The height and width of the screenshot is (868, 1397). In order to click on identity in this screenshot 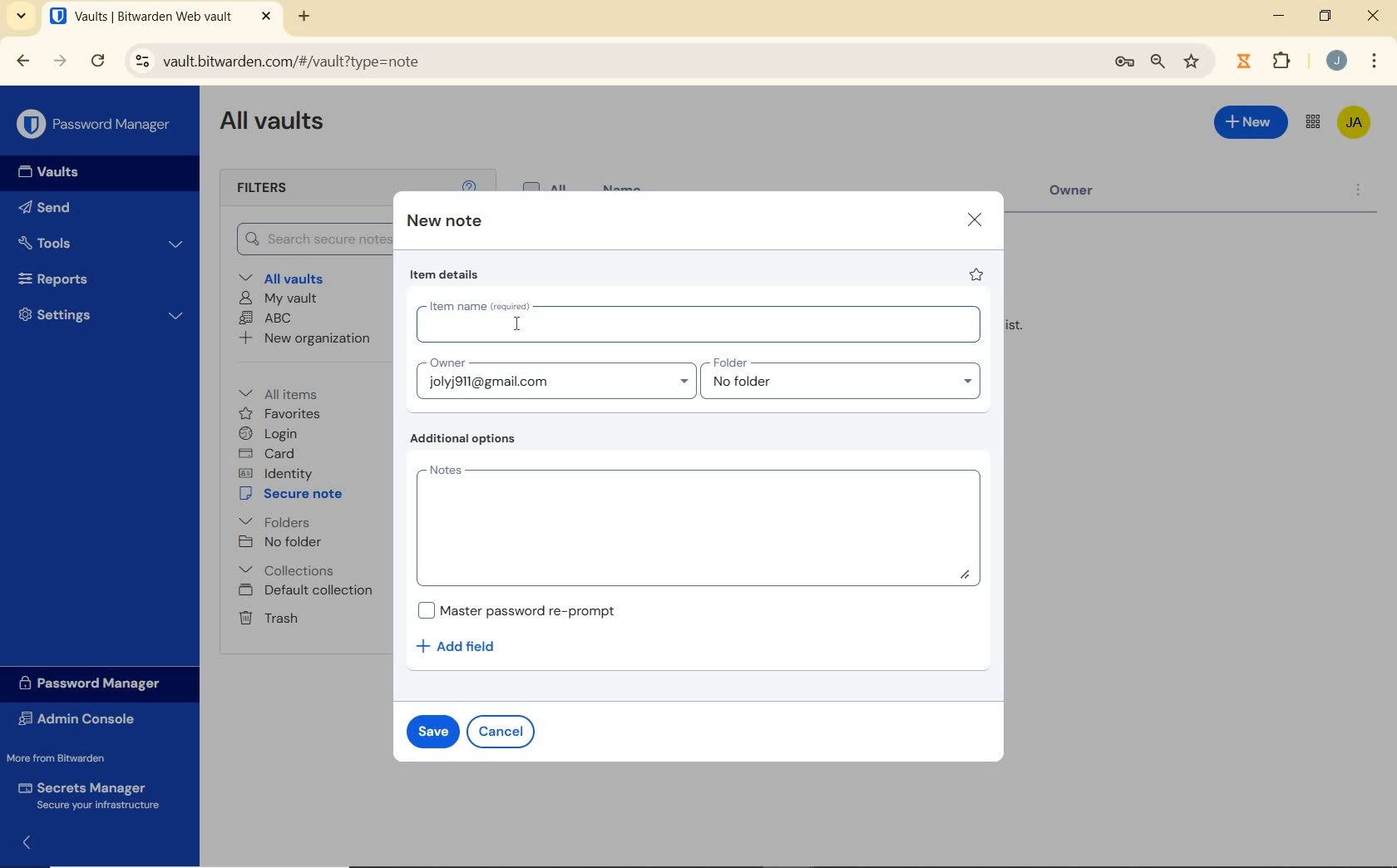, I will do `click(275, 472)`.